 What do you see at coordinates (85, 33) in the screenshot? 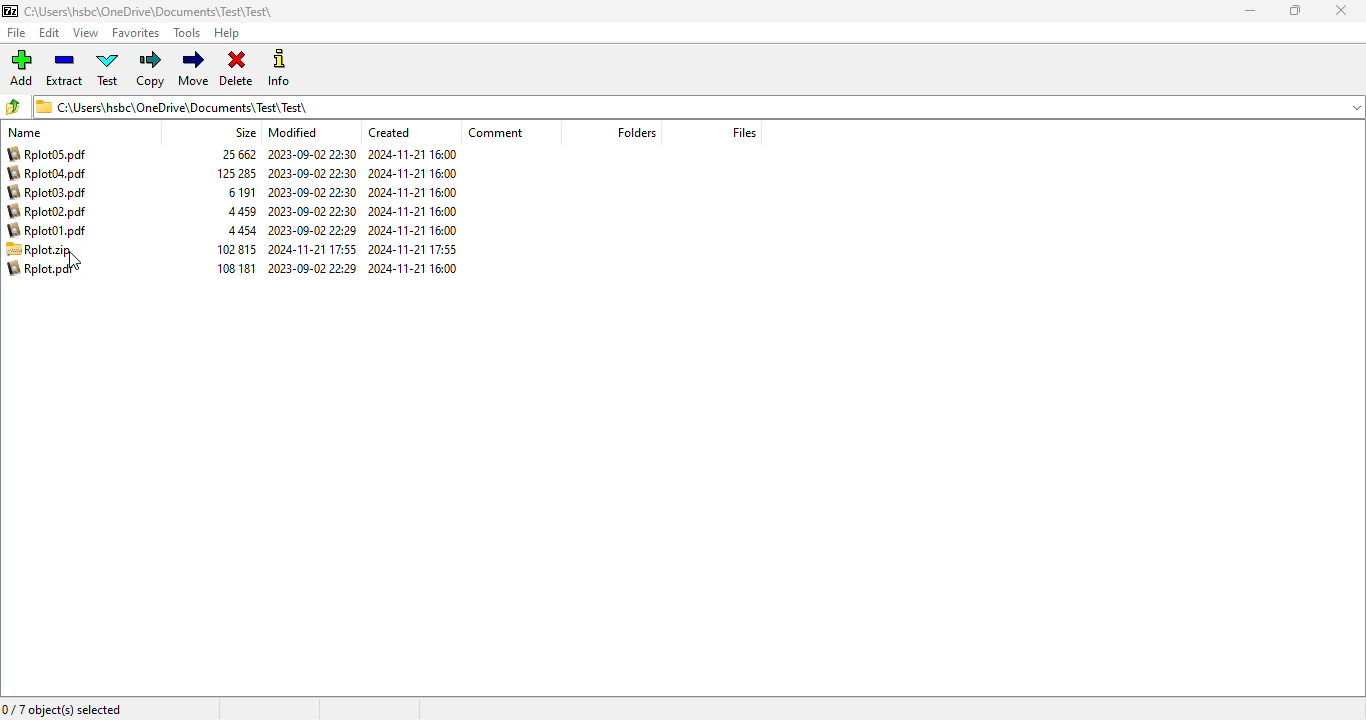
I see `view` at bounding box center [85, 33].